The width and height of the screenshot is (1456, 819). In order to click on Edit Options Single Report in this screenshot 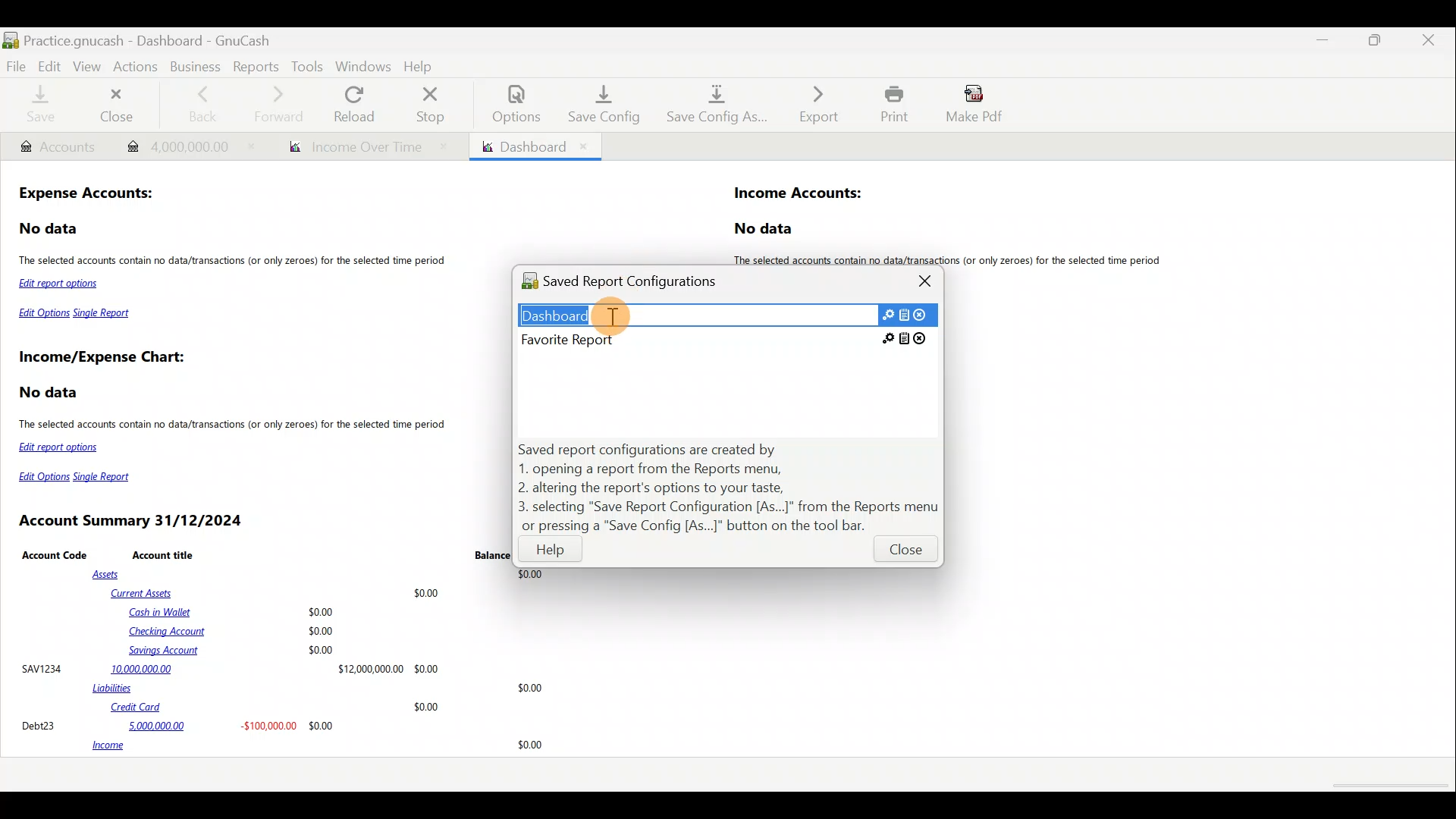, I will do `click(76, 316)`.